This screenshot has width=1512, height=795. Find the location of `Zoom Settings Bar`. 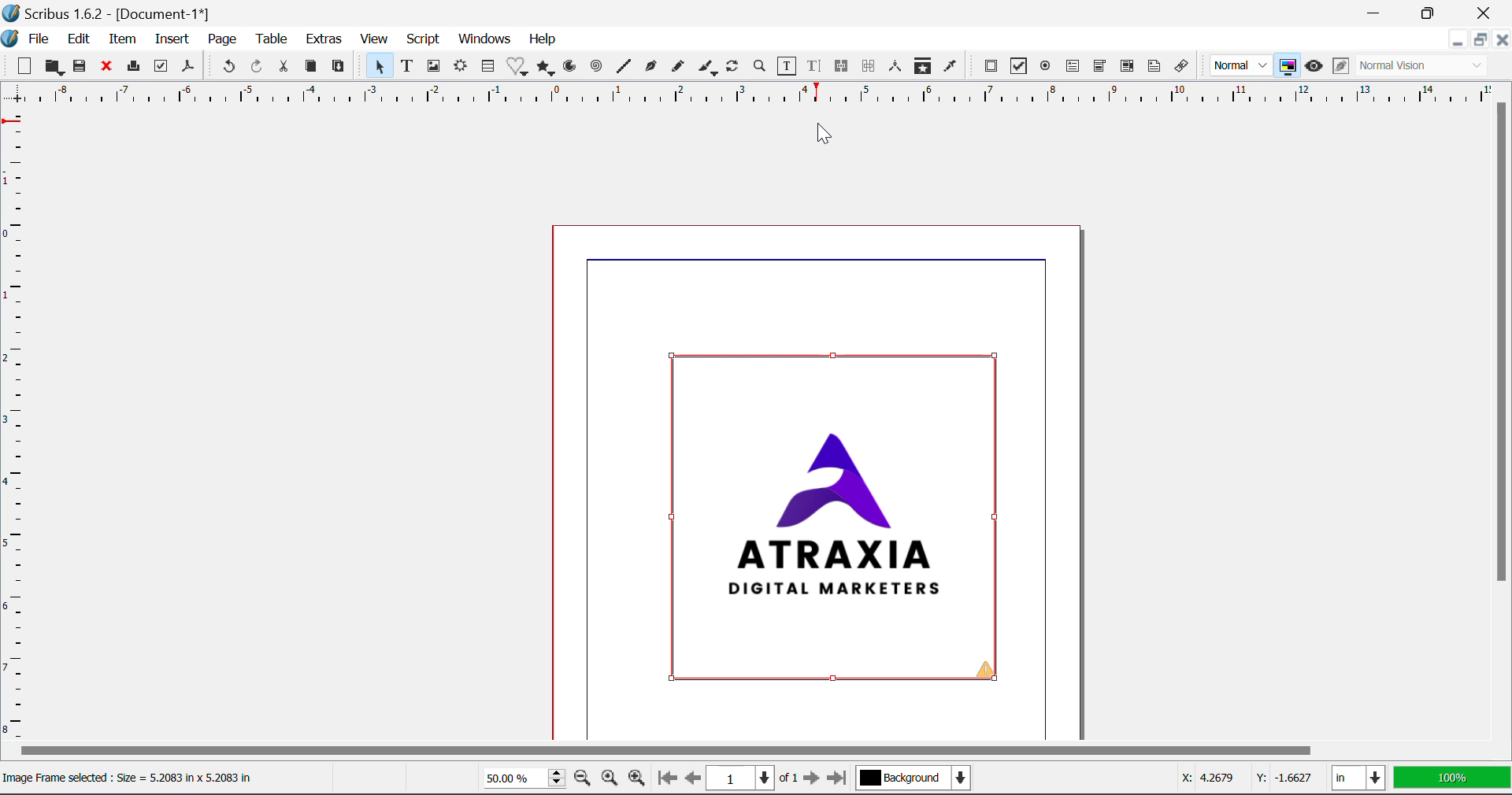

Zoom Settings Bar is located at coordinates (557, 778).